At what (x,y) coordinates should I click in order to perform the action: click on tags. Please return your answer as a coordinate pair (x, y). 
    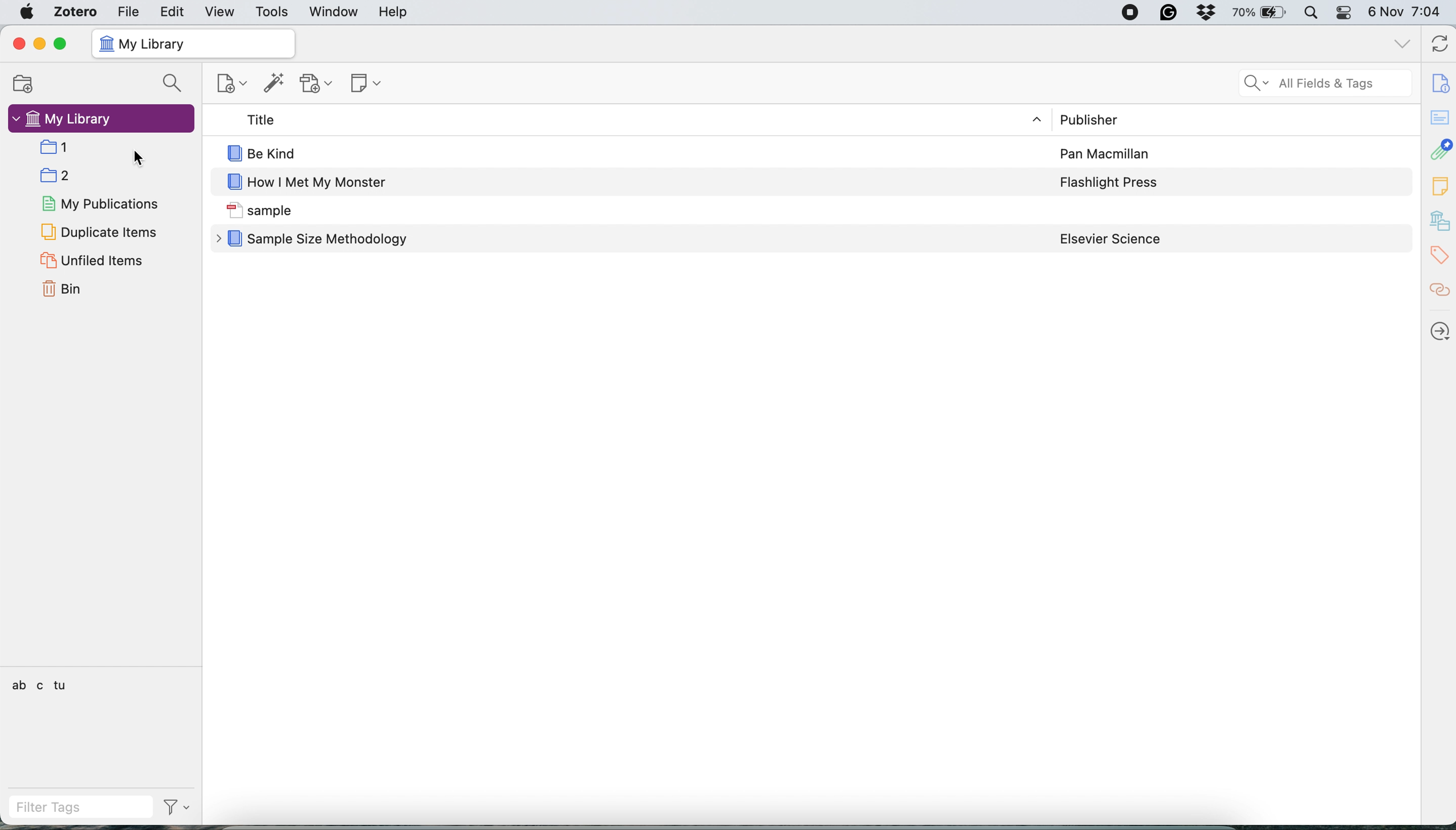
    Looking at the image, I should click on (1438, 256).